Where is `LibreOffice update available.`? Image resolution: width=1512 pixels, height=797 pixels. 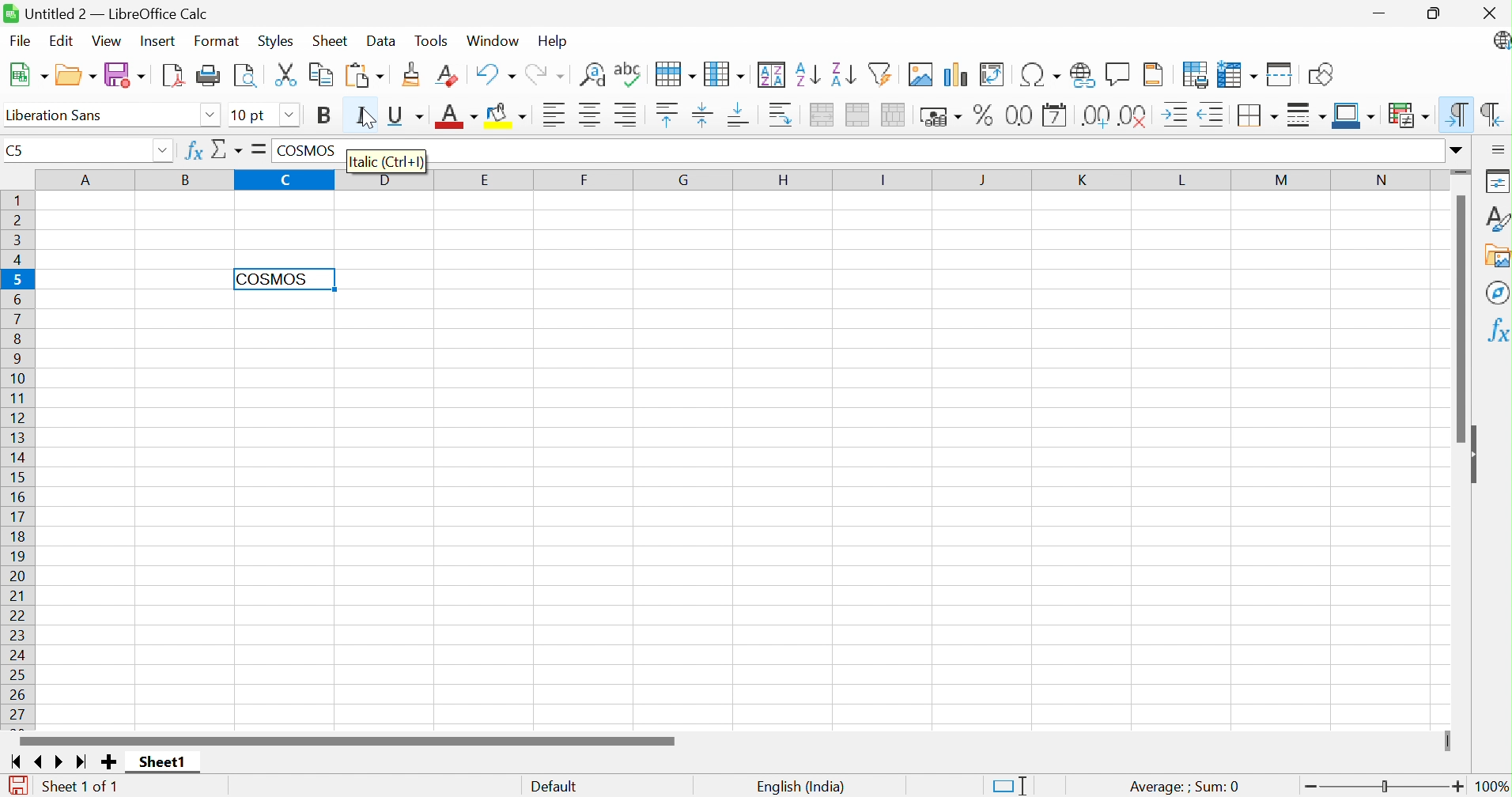 LibreOffice update available. is located at coordinates (1499, 41).